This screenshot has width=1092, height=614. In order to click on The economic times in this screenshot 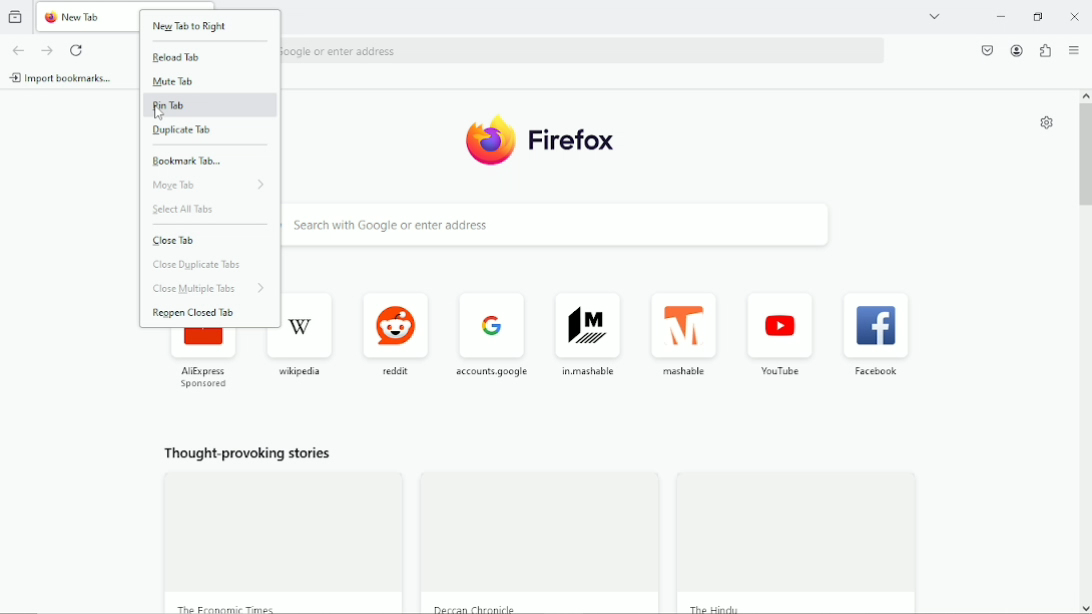, I will do `click(225, 606)`.